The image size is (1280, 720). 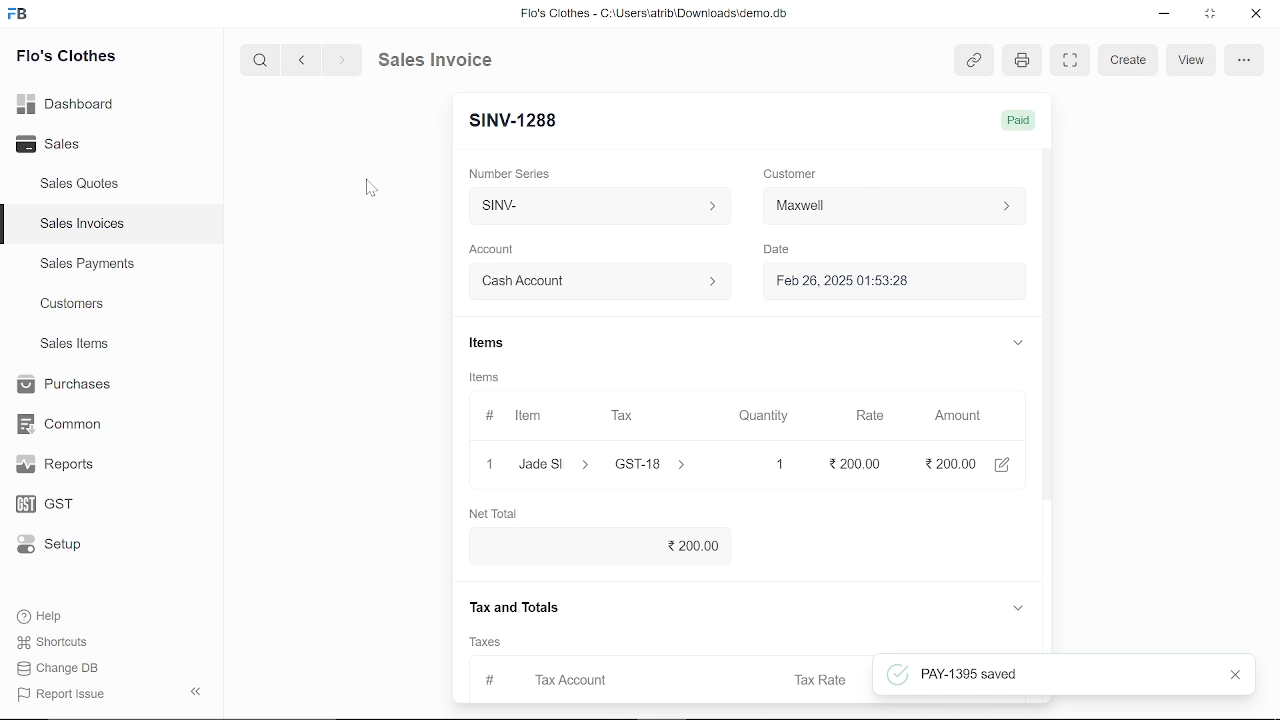 I want to click on previous, so click(x=302, y=59).